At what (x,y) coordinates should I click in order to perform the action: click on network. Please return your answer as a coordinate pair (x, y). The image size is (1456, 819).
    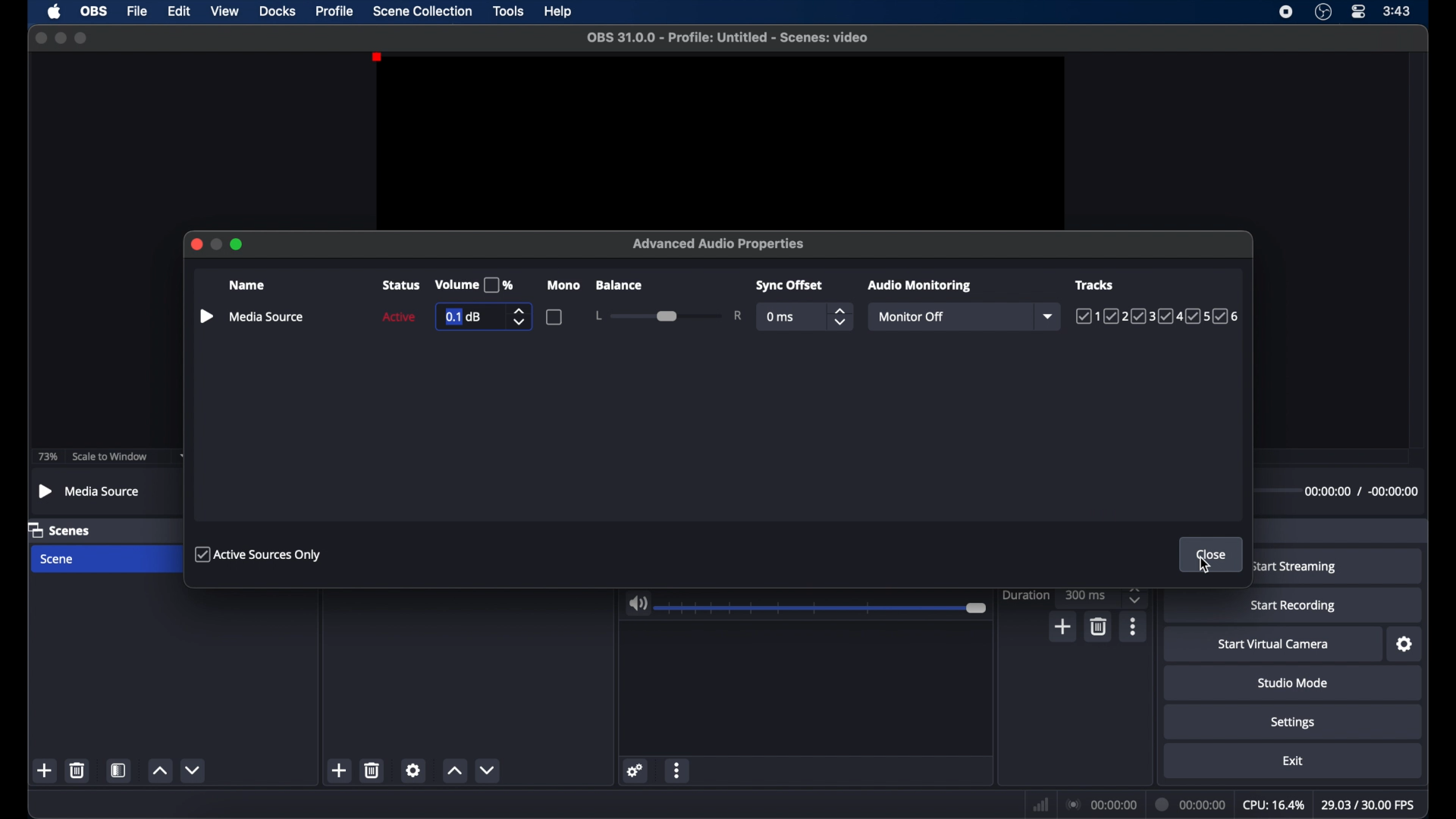
    Looking at the image, I should click on (1041, 805).